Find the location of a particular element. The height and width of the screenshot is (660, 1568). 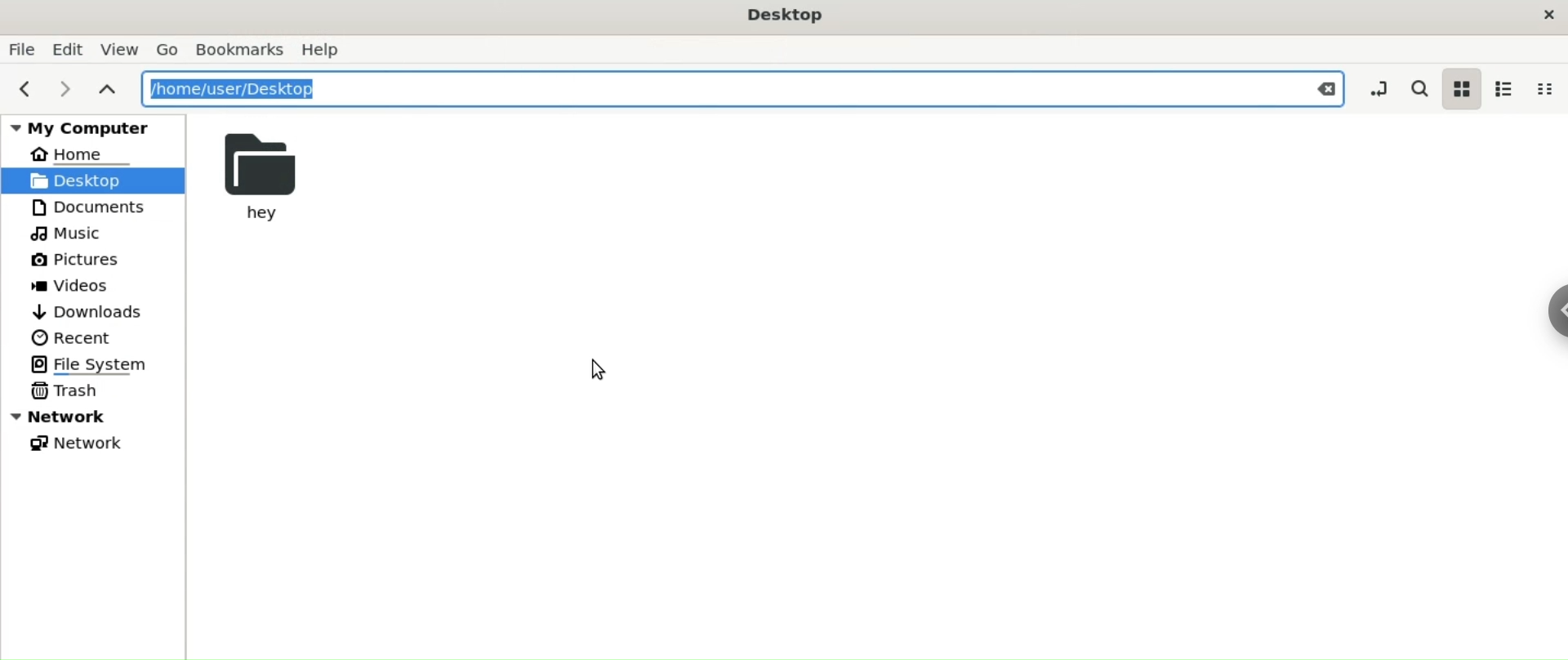

Music is located at coordinates (69, 233).